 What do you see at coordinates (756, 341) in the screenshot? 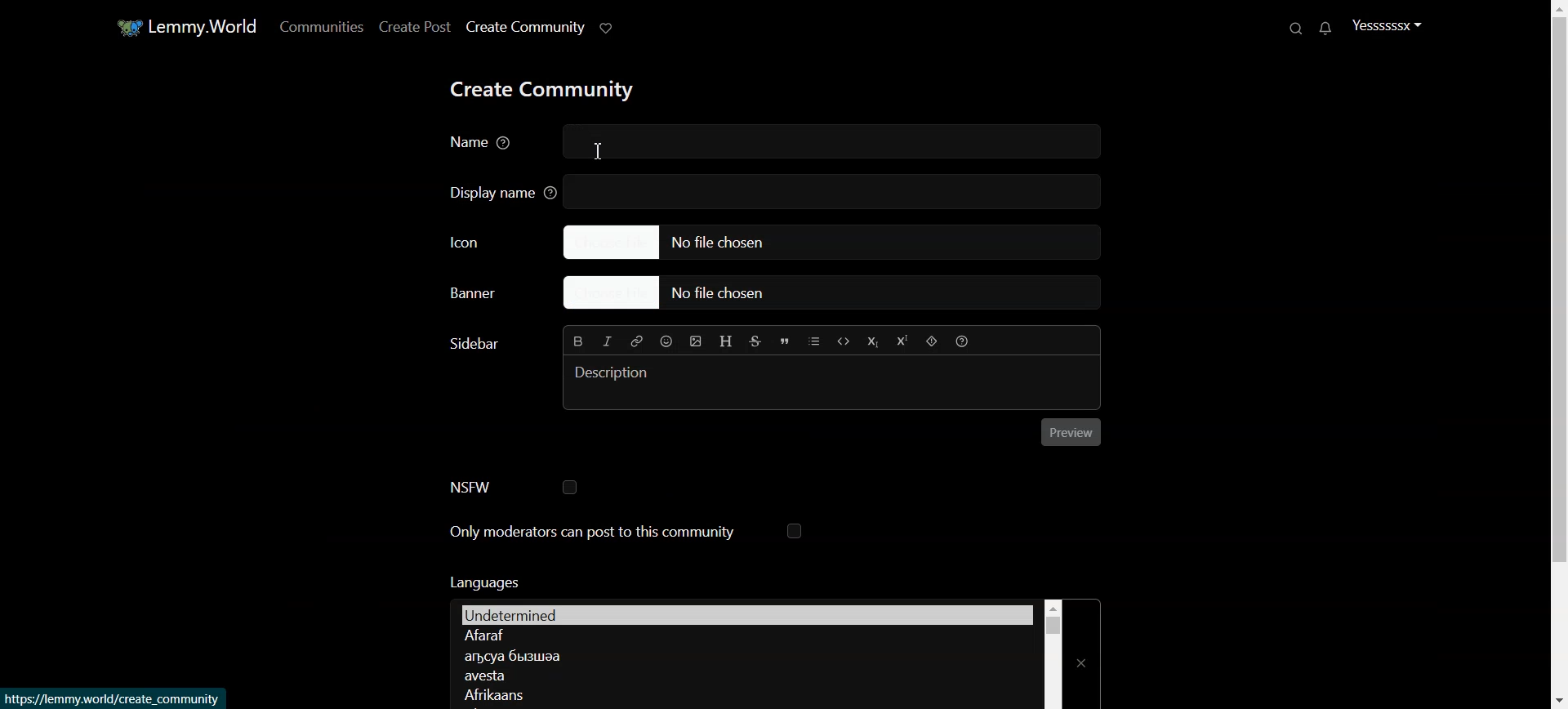
I see `Strikethrough` at bounding box center [756, 341].